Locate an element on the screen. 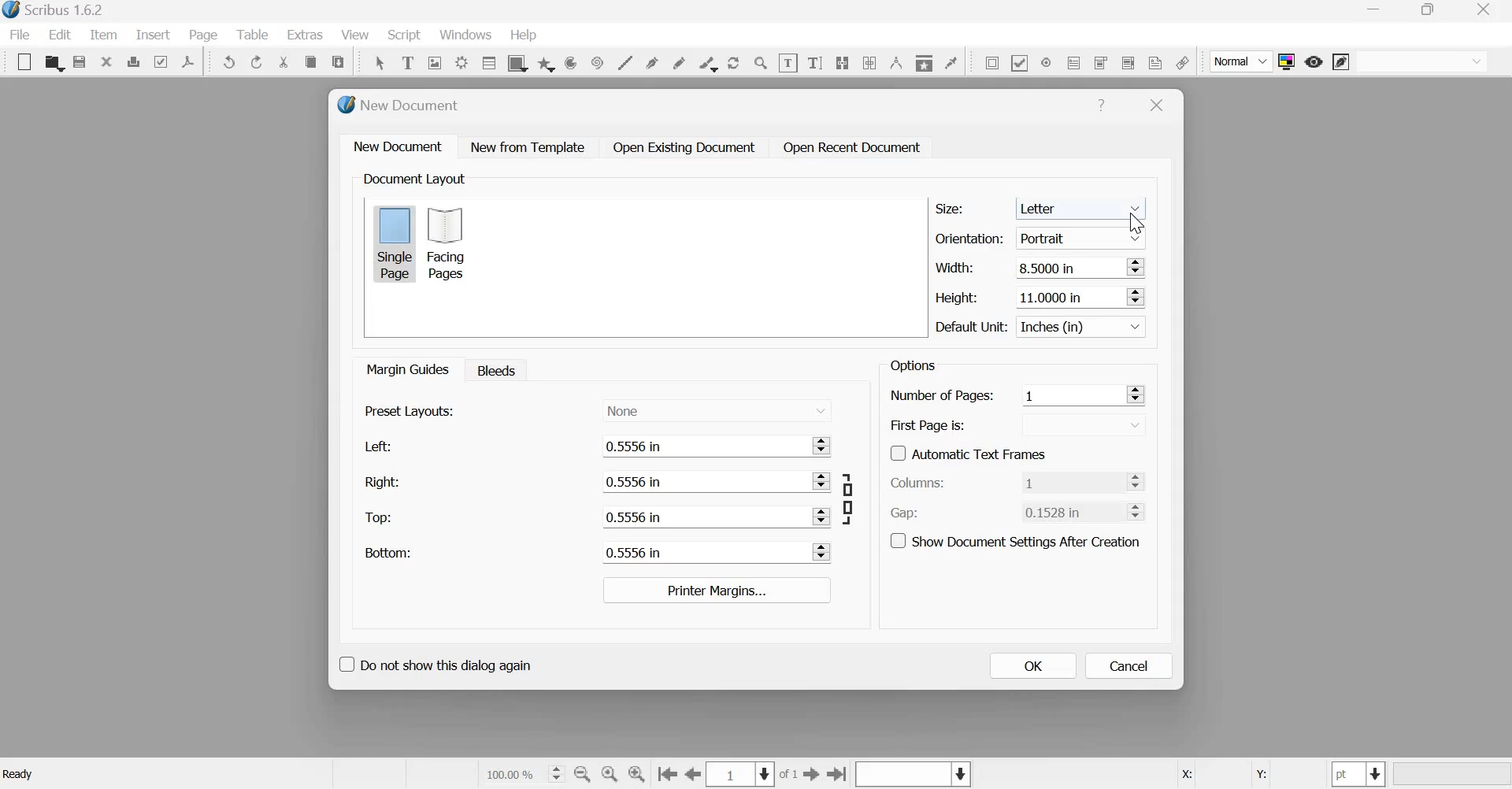 The width and height of the screenshot is (1512, 789). print is located at coordinates (133, 61).